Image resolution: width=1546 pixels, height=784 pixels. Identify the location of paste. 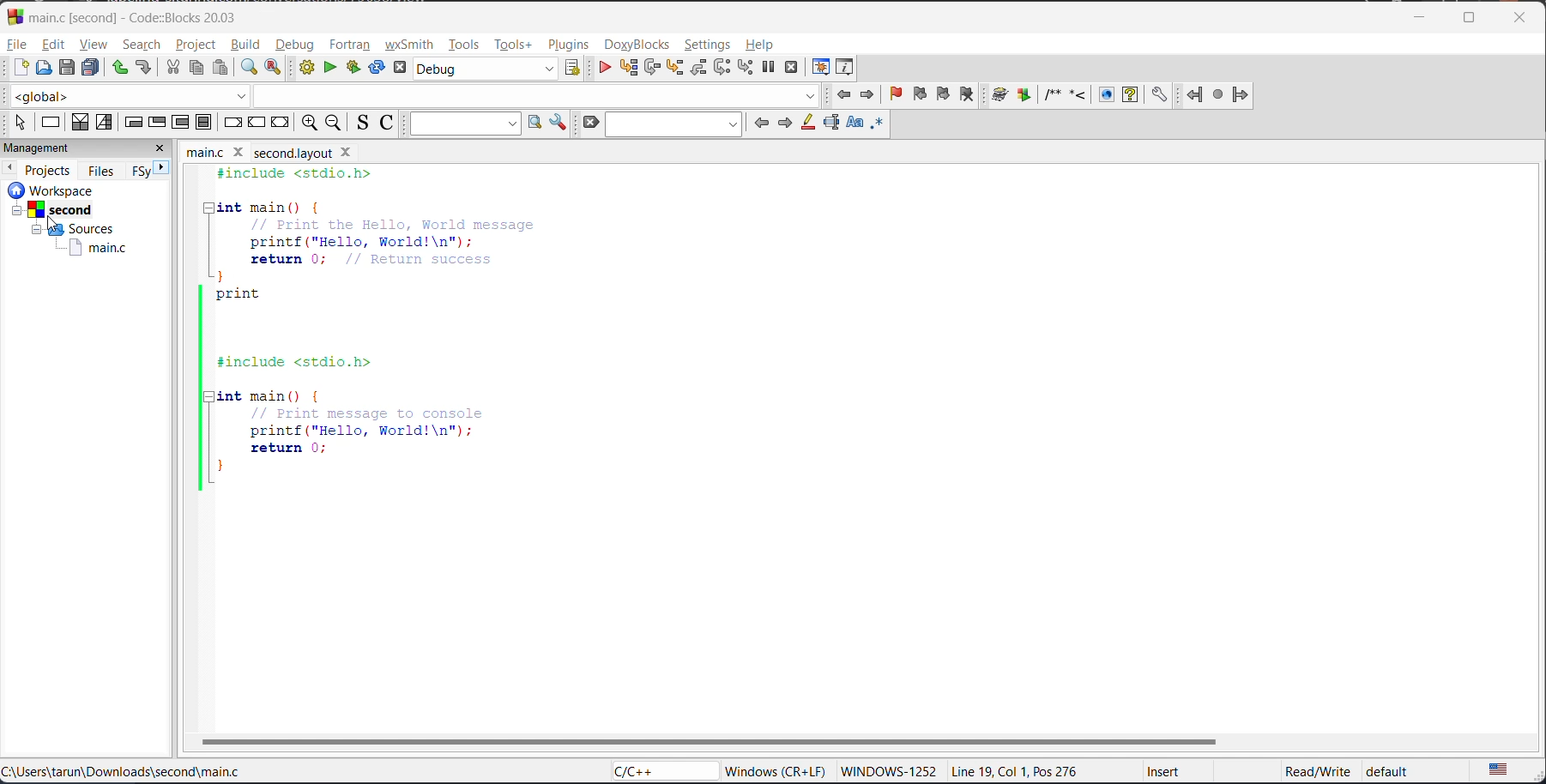
(220, 68).